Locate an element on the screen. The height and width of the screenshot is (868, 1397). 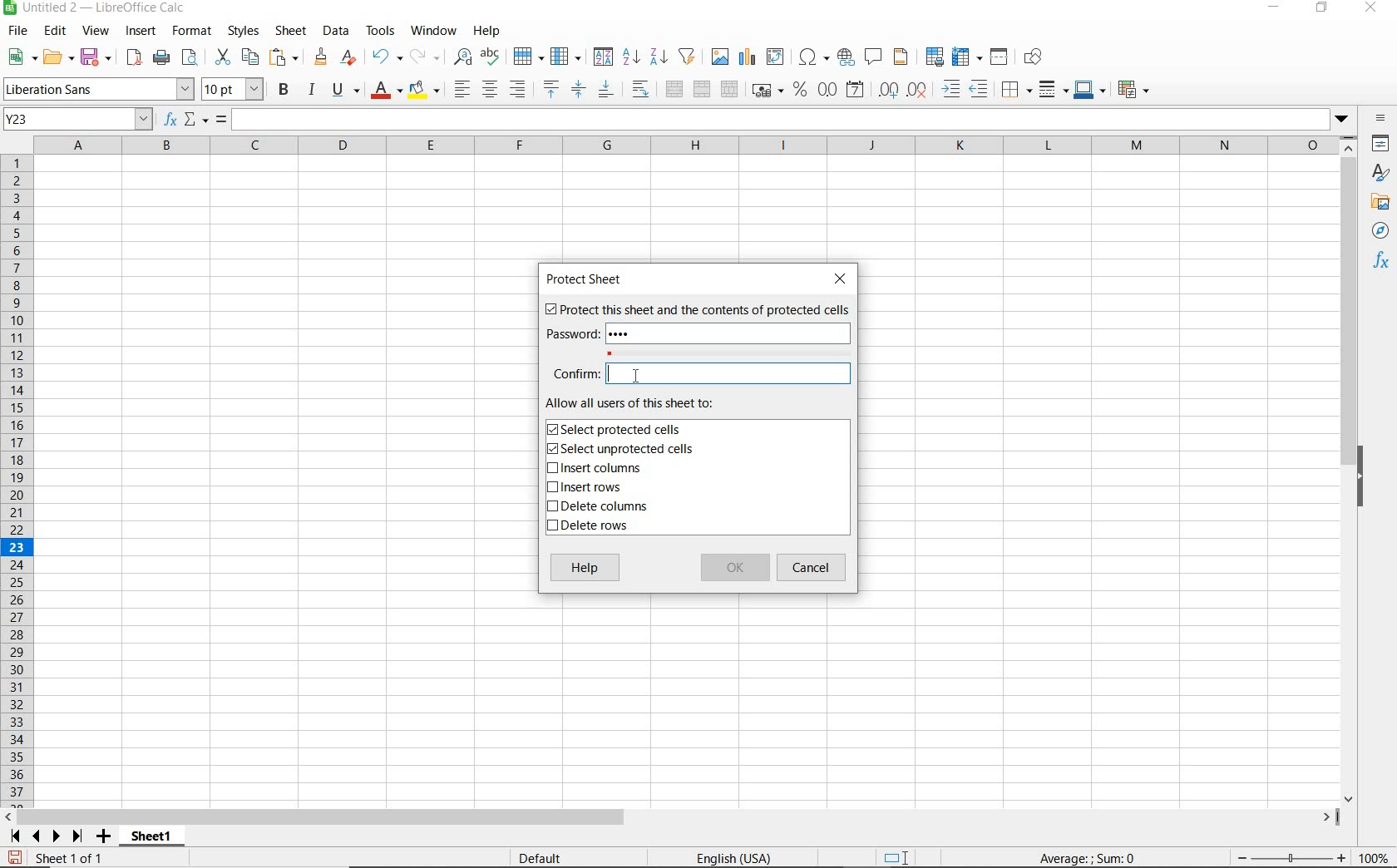
INSERT ROWS is located at coordinates (590, 488).